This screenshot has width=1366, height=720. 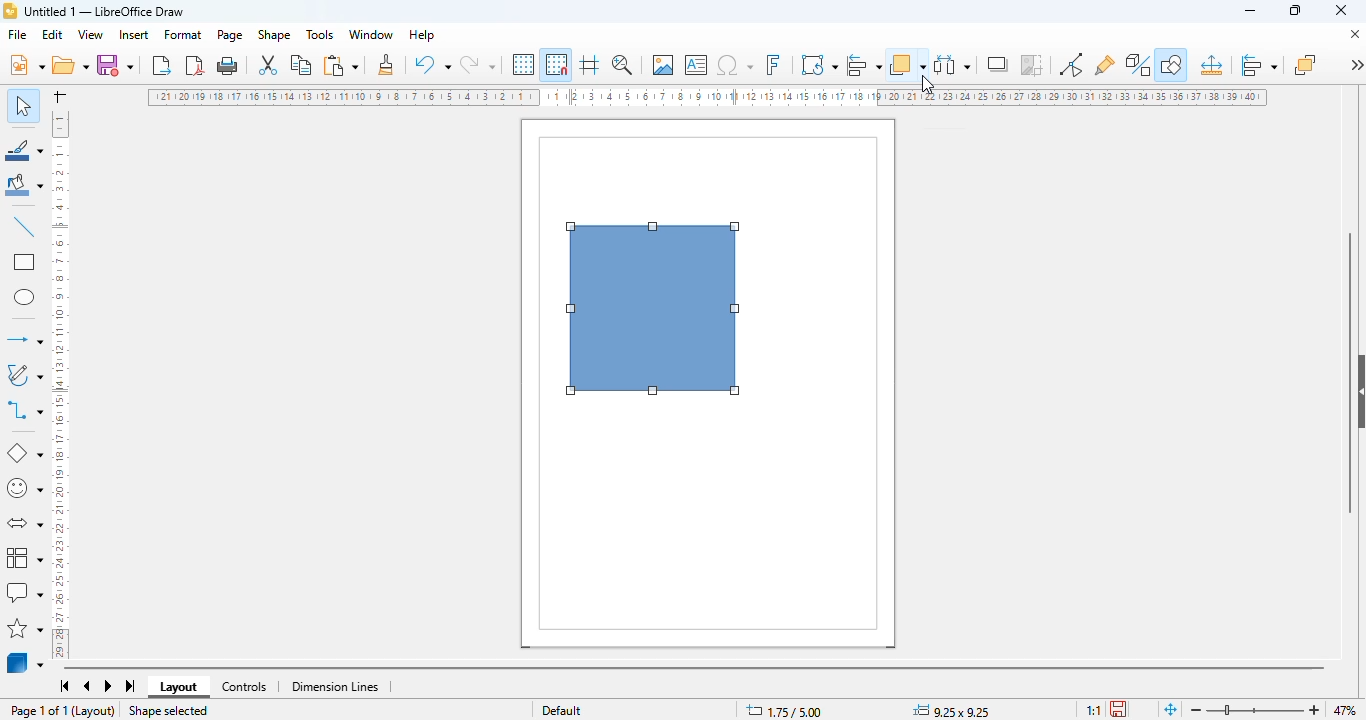 What do you see at coordinates (820, 64) in the screenshot?
I see `transformations` at bounding box center [820, 64].